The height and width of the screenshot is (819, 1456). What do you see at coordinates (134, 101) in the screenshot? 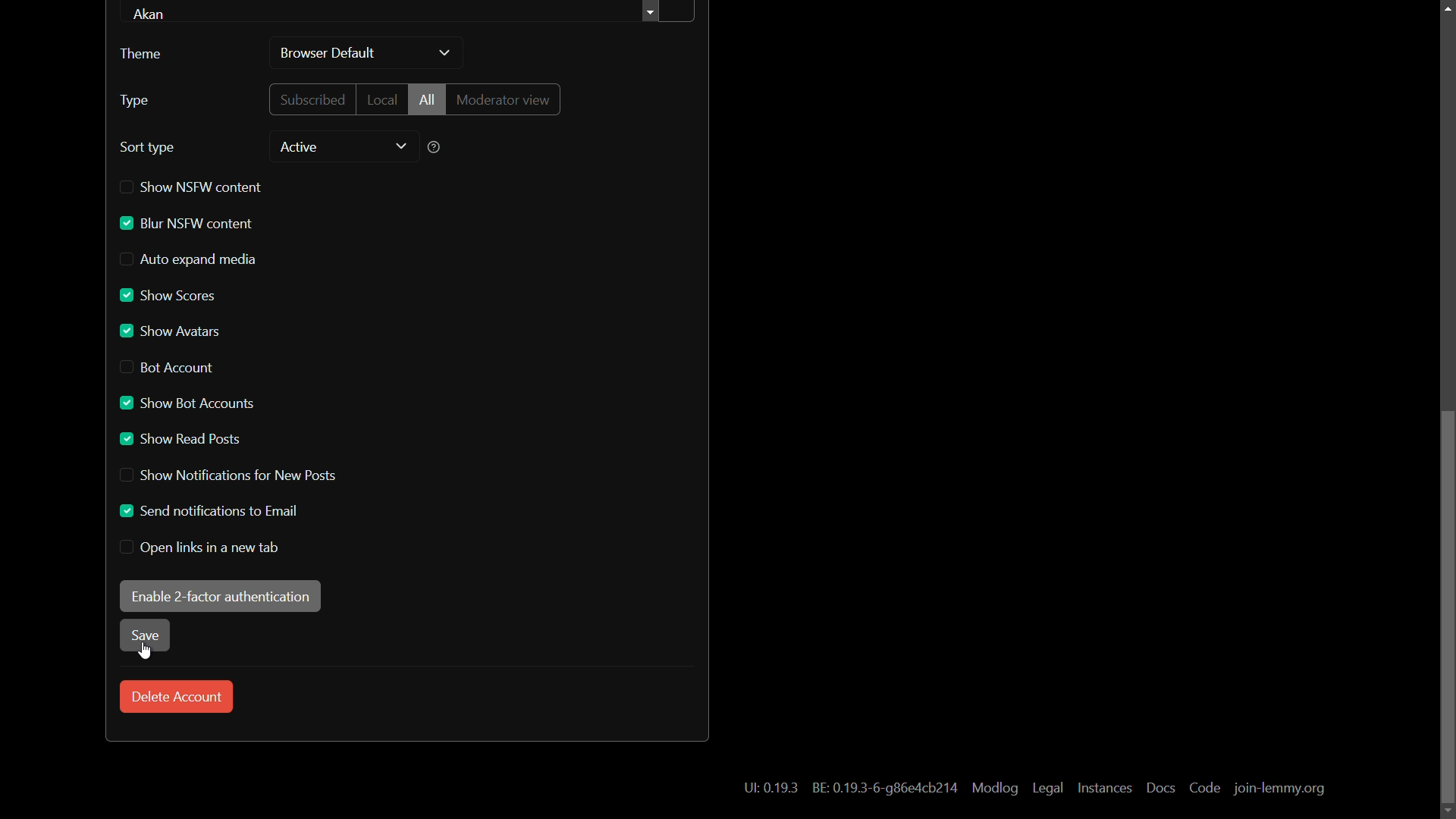
I see `type` at bounding box center [134, 101].